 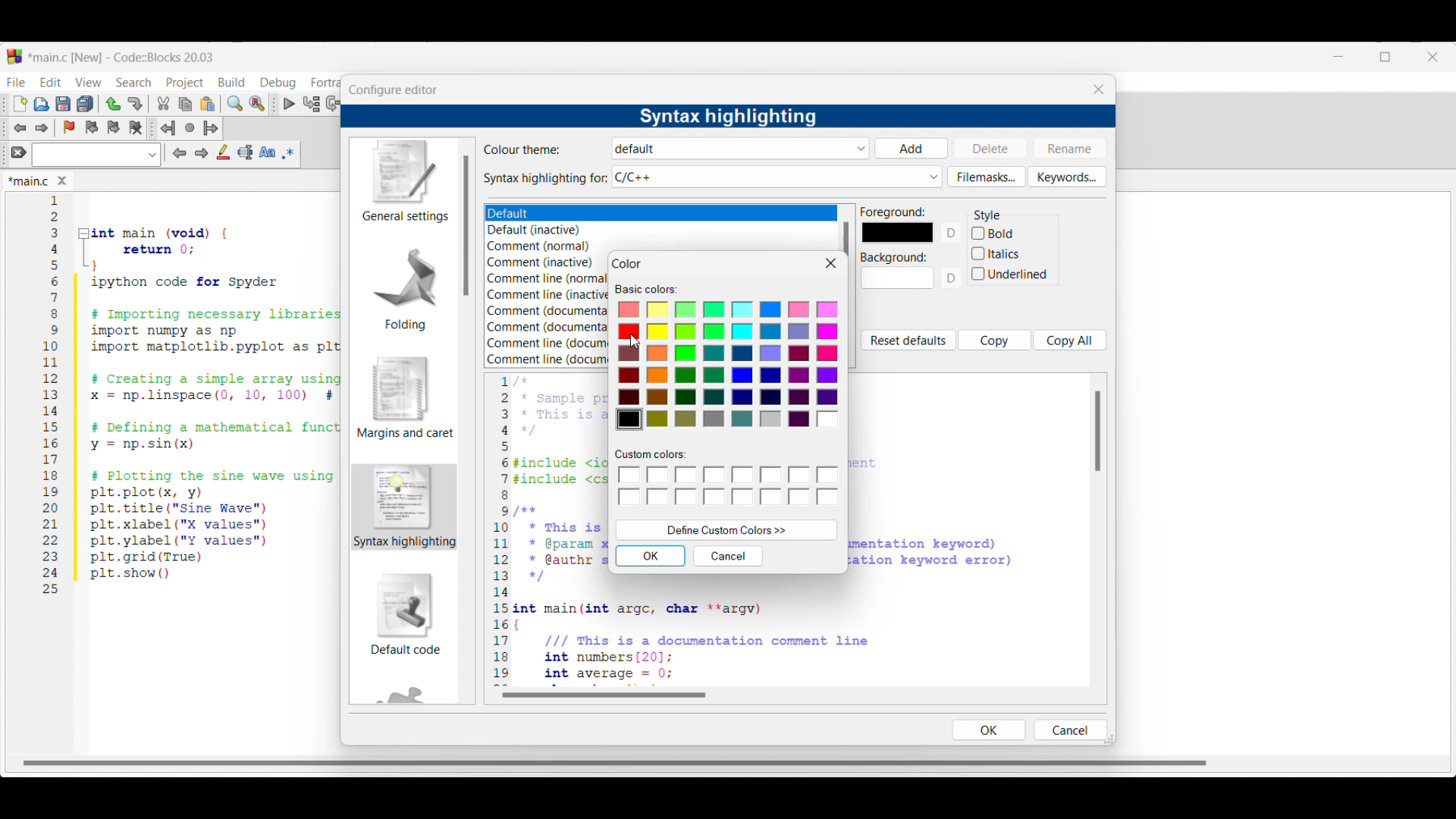 What do you see at coordinates (63, 104) in the screenshot?
I see `Save` at bounding box center [63, 104].